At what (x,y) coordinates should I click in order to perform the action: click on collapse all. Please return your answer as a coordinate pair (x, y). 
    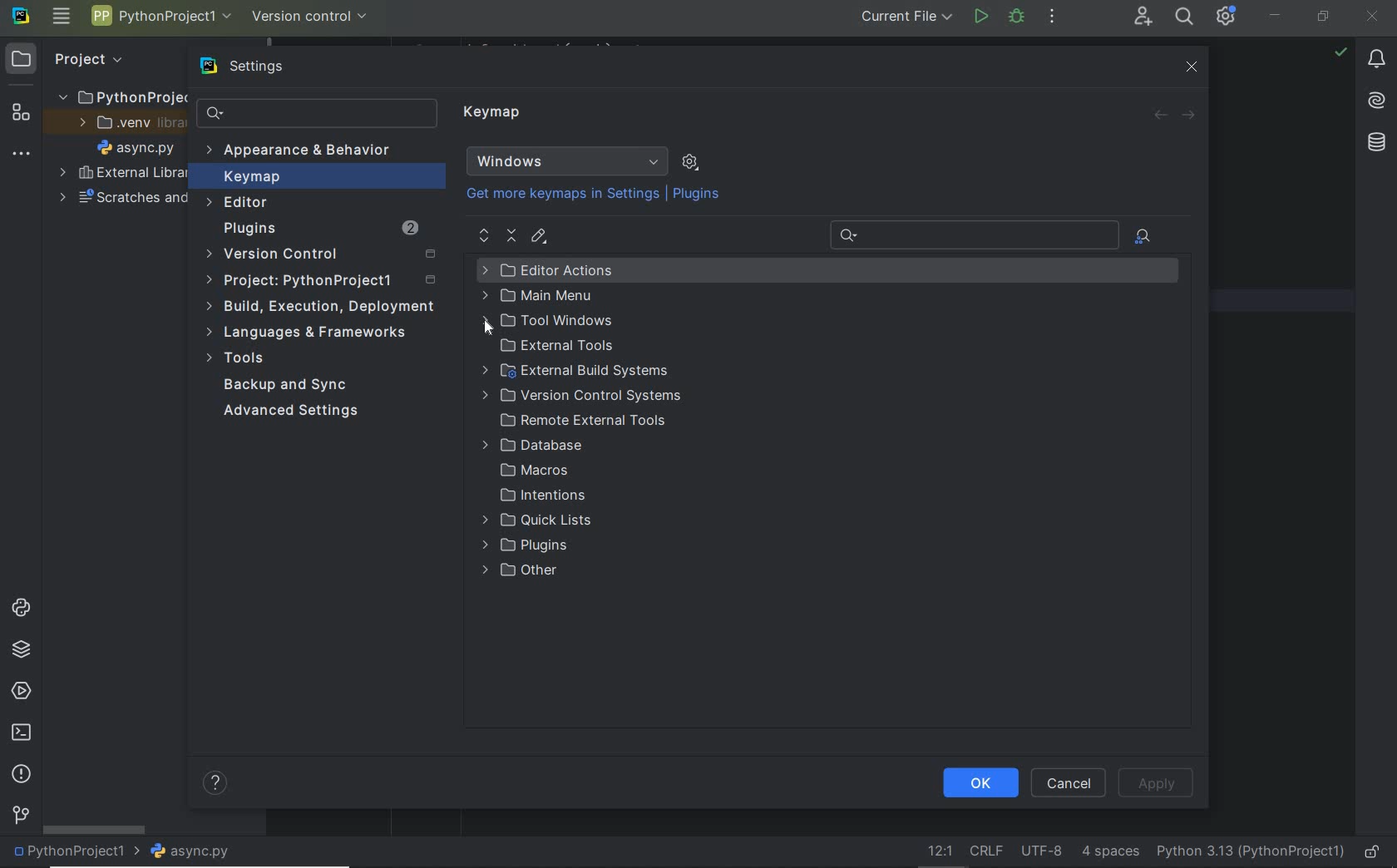
    Looking at the image, I should click on (511, 236).